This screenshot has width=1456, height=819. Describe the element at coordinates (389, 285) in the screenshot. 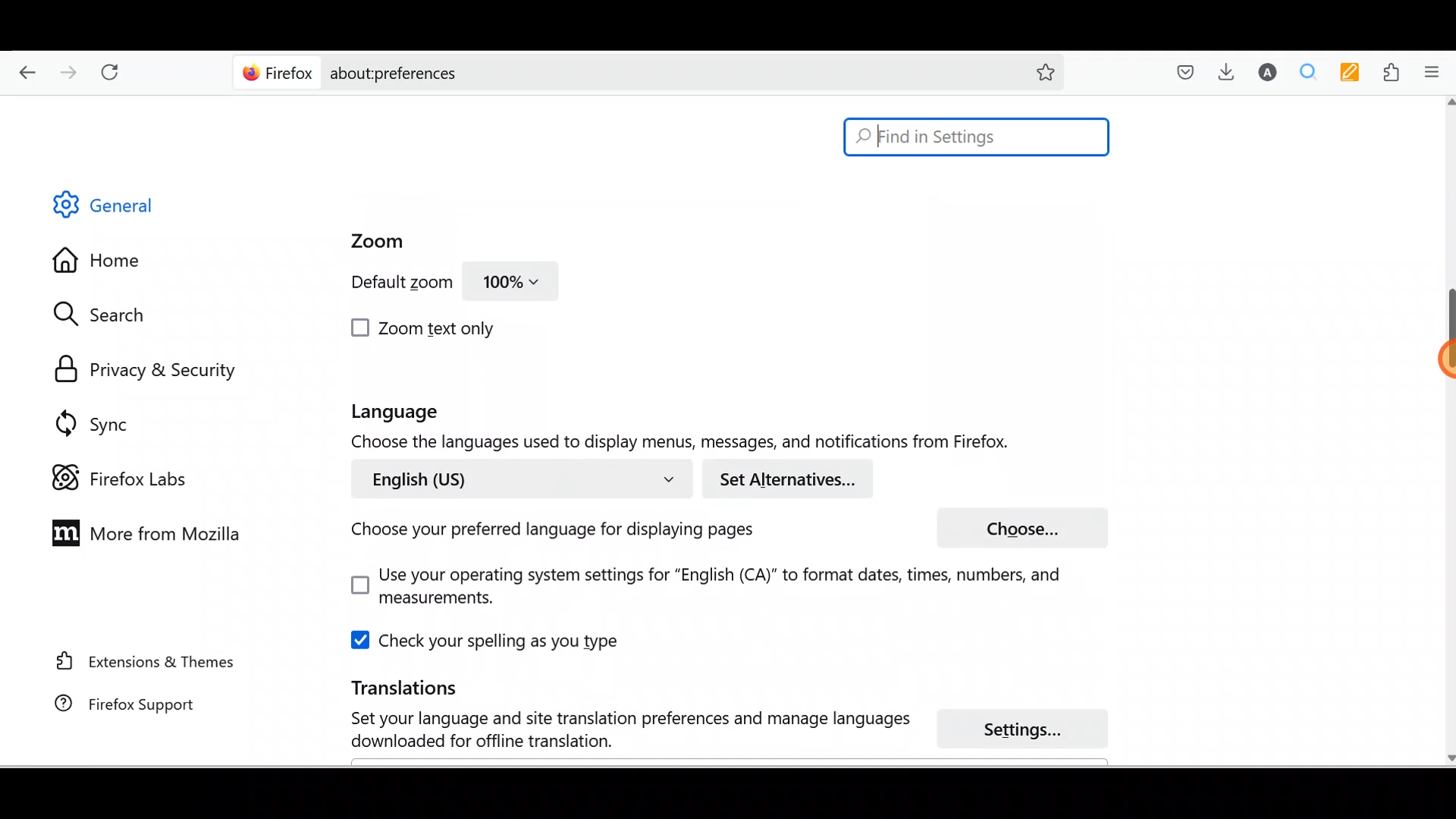

I see `Default zoom` at that location.